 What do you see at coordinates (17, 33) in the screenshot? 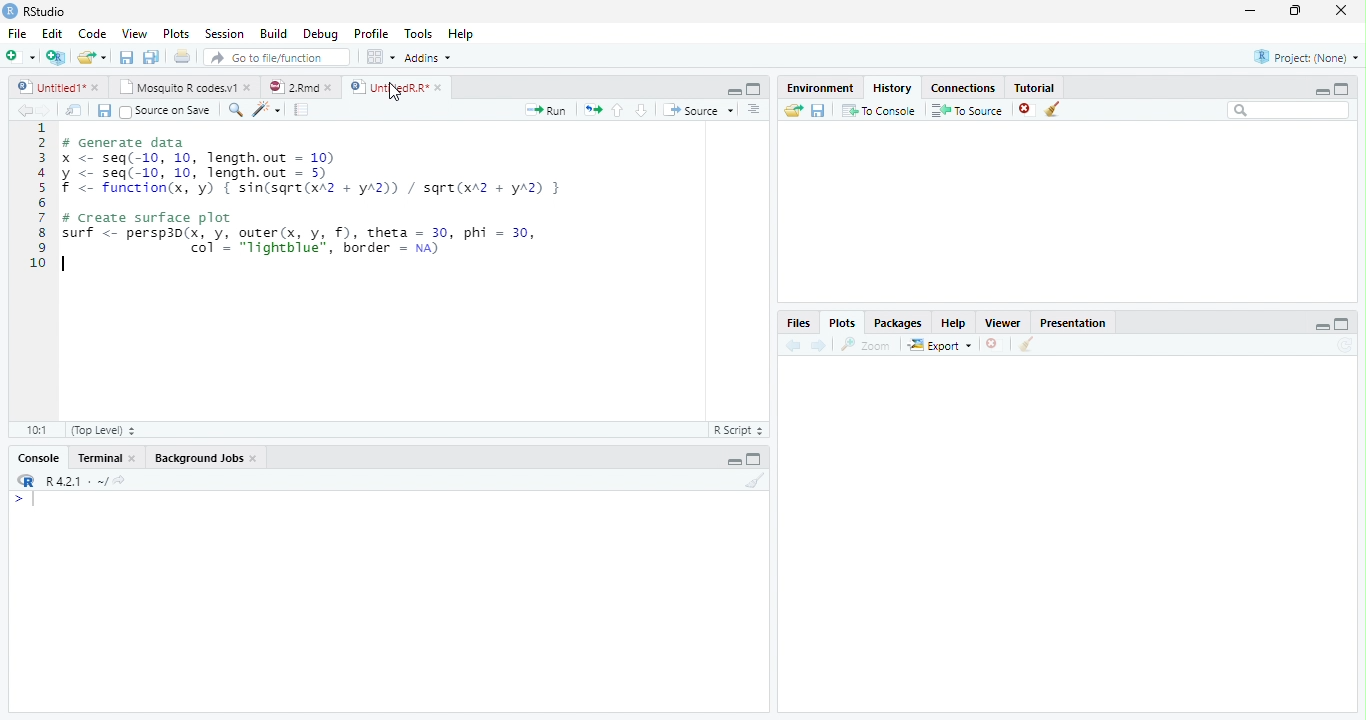
I see `File` at bounding box center [17, 33].